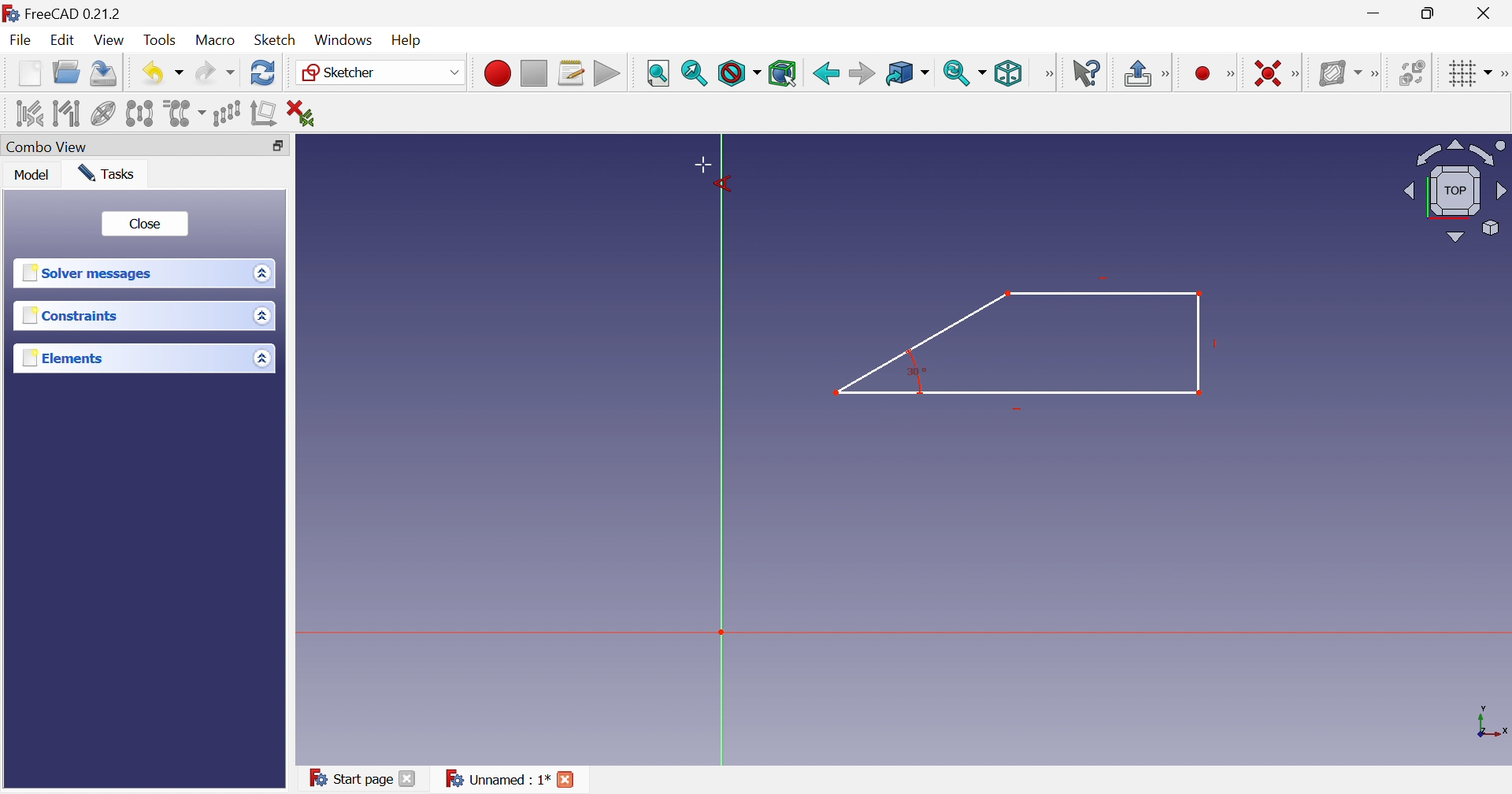  I want to click on Show/Hide B-spline information layer, so click(1336, 72).